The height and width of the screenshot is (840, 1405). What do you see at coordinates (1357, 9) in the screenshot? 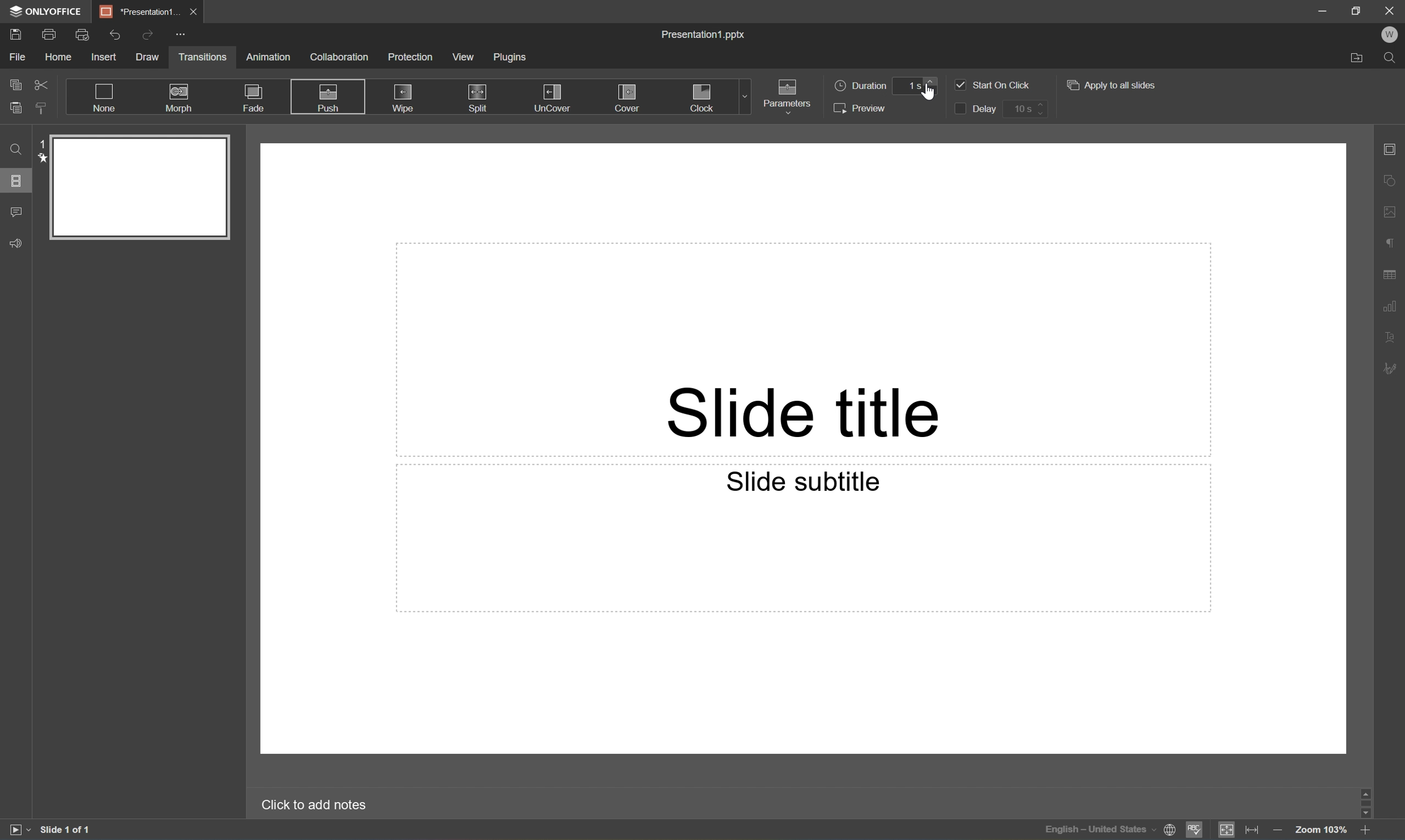
I see `Restore Down` at bounding box center [1357, 9].